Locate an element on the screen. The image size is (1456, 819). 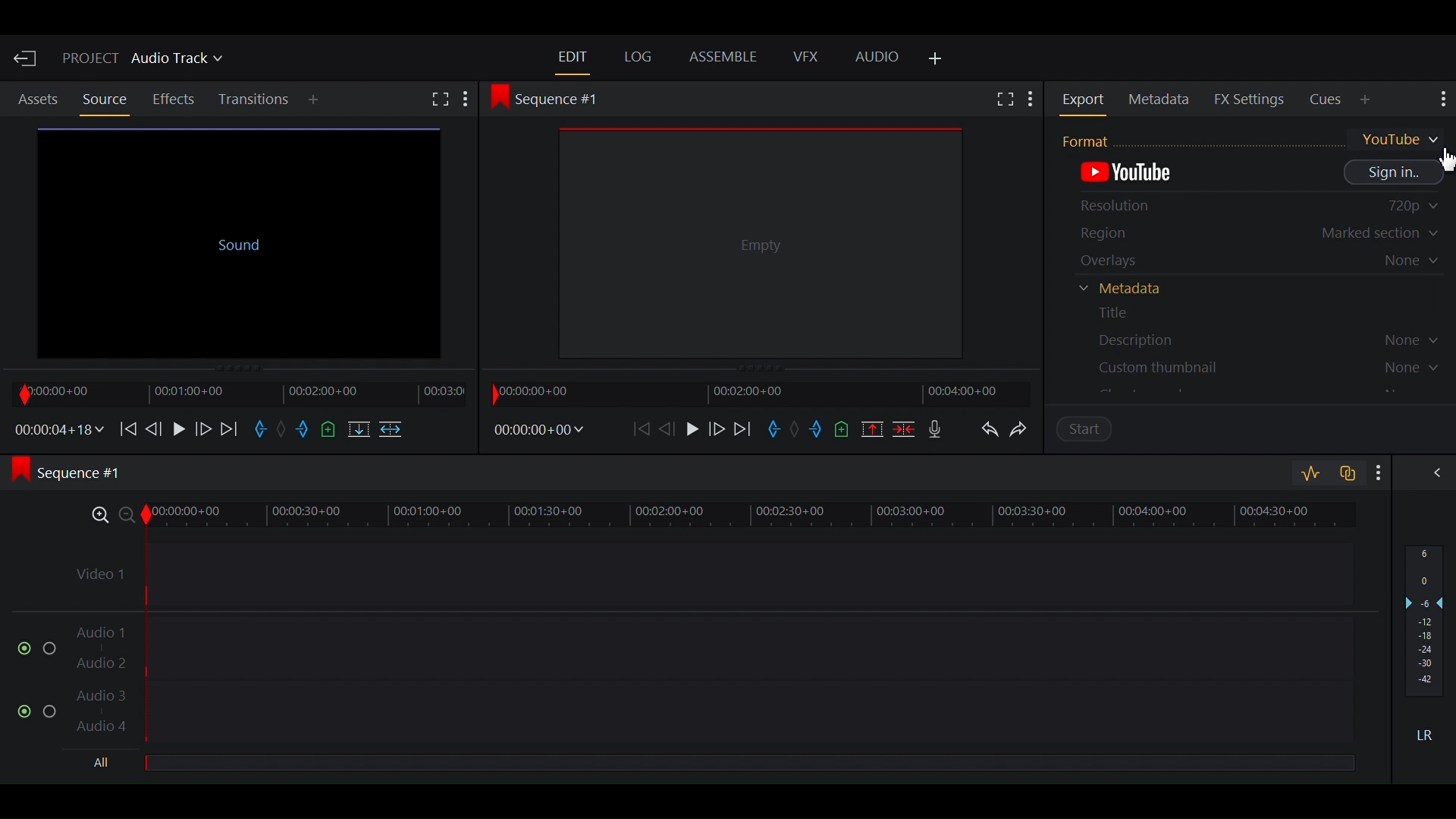
Video Track is located at coordinates (711, 569).